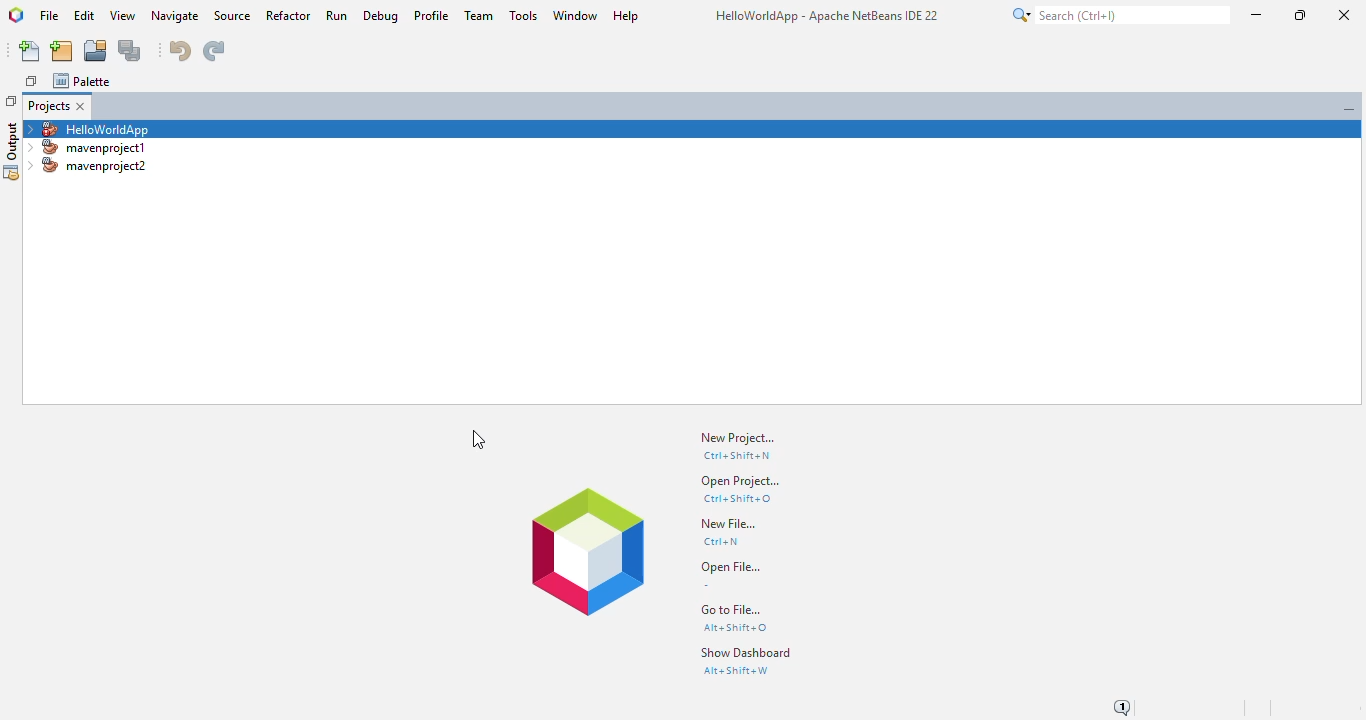 The width and height of the screenshot is (1366, 720). Describe the element at coordinates (50, 16) in the screenshot. I see `file` at that location.